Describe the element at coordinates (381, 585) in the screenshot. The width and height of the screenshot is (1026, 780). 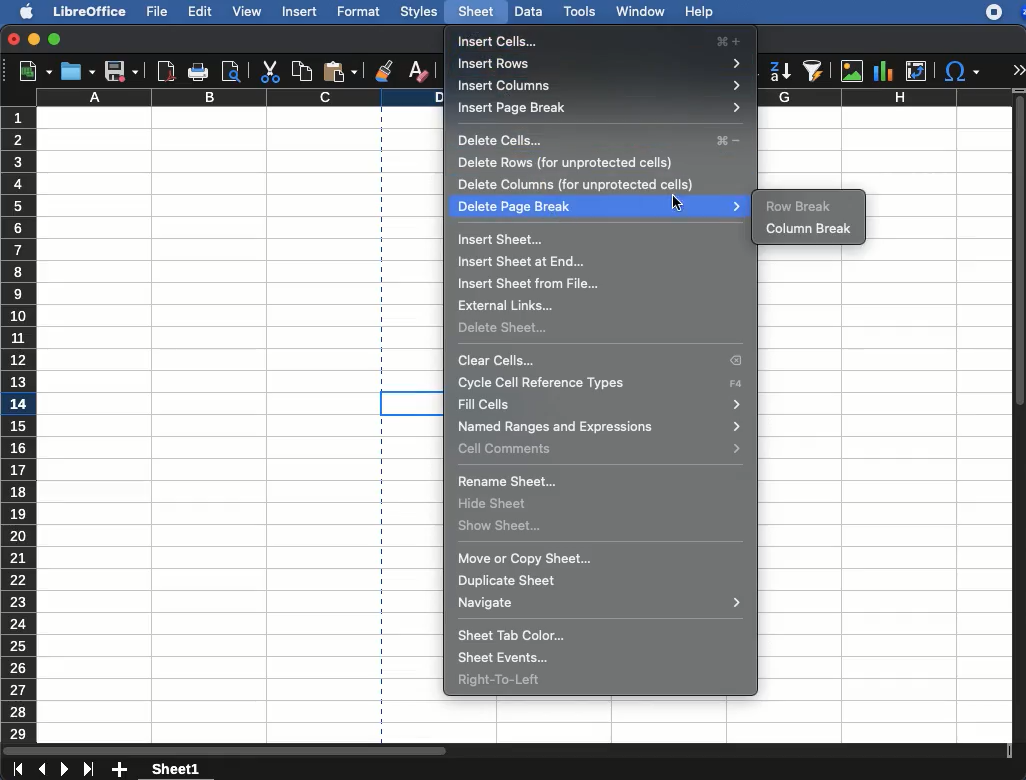
I see `page break` at that location.